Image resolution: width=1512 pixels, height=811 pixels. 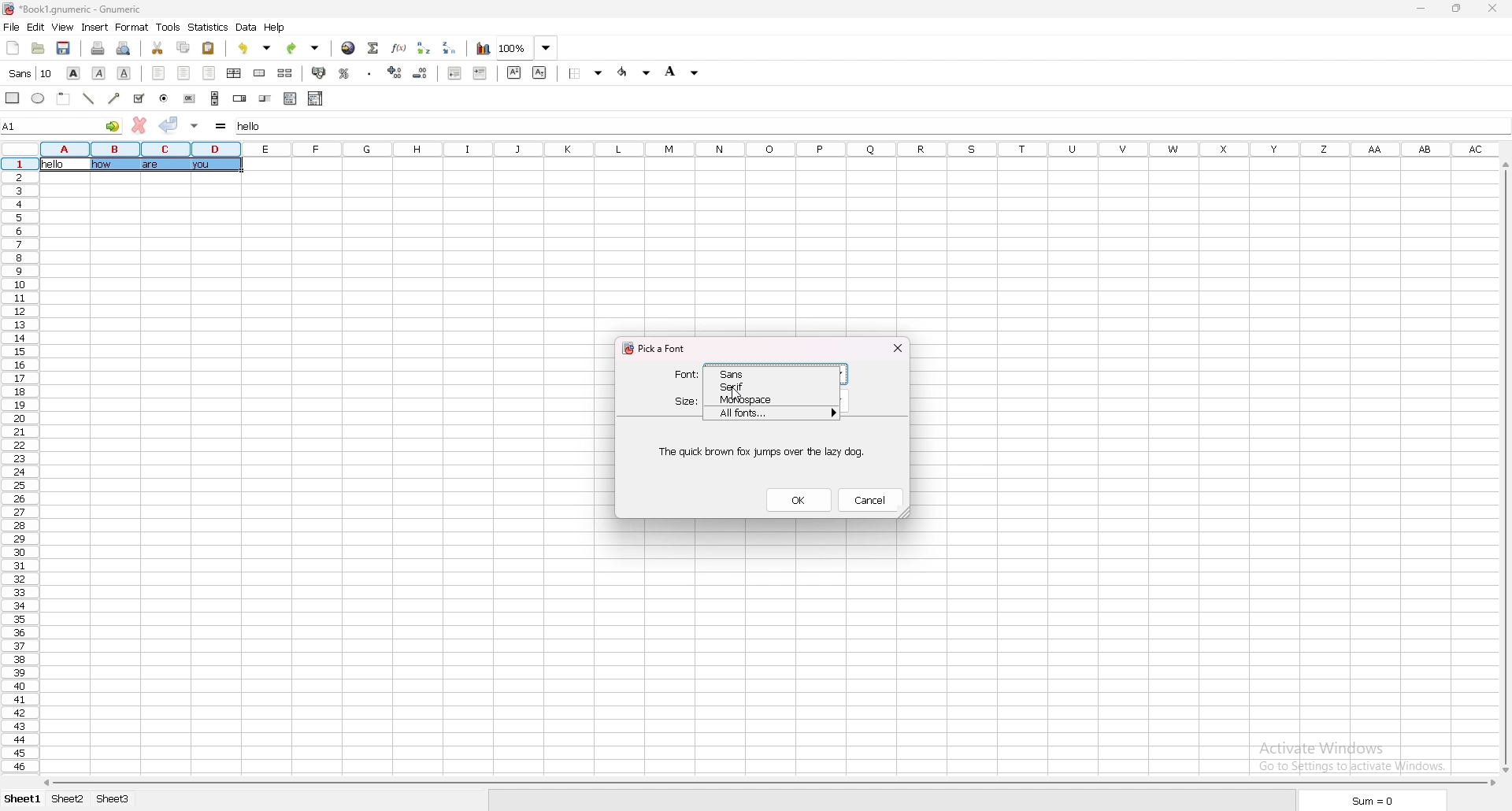 What do you see at coordinates (183, 47) in the screenshot?
I see `copy` at bounding box center [183, 47].